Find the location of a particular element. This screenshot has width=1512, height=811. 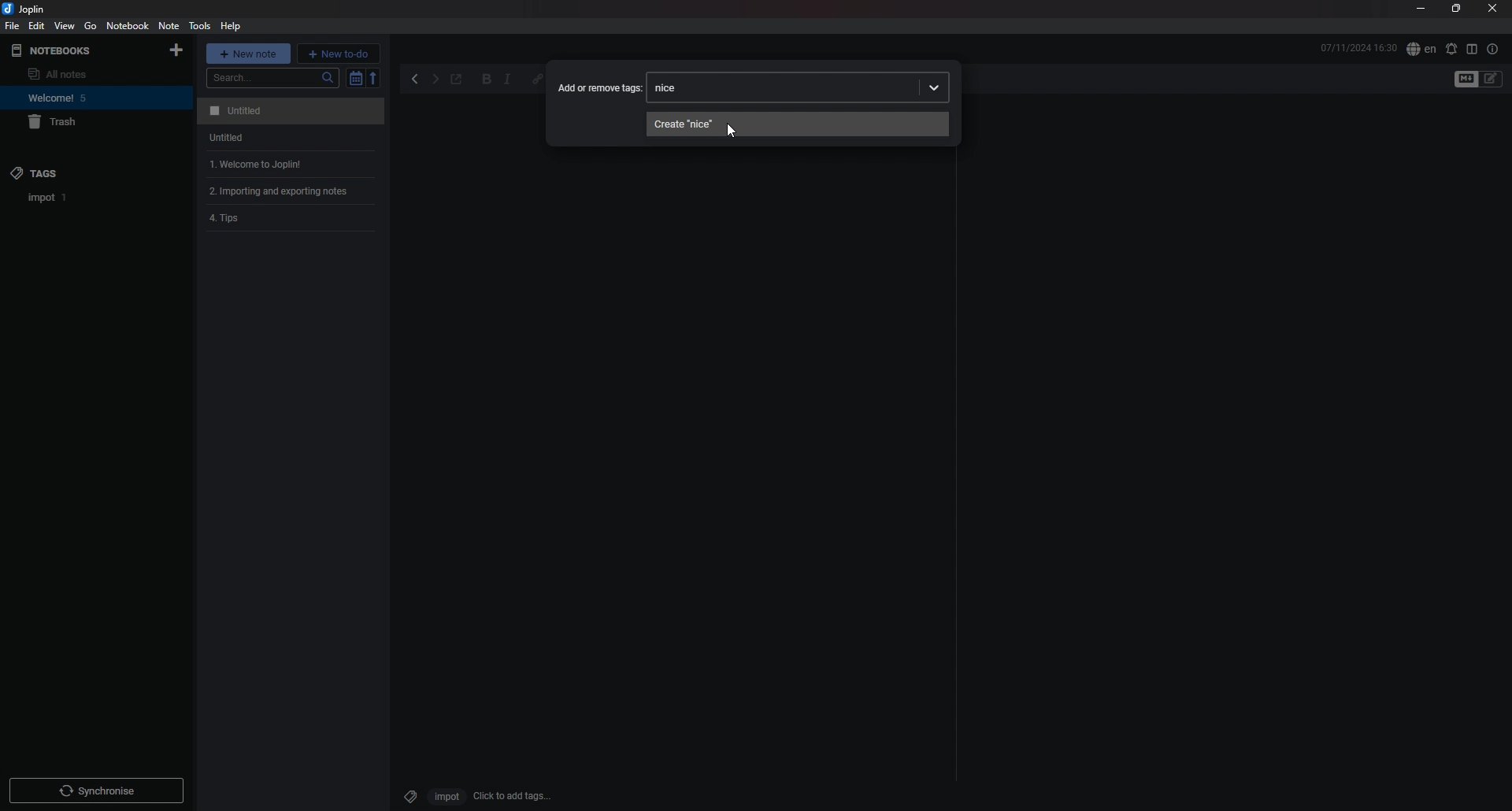

trash is located at coordinates (83, 123).